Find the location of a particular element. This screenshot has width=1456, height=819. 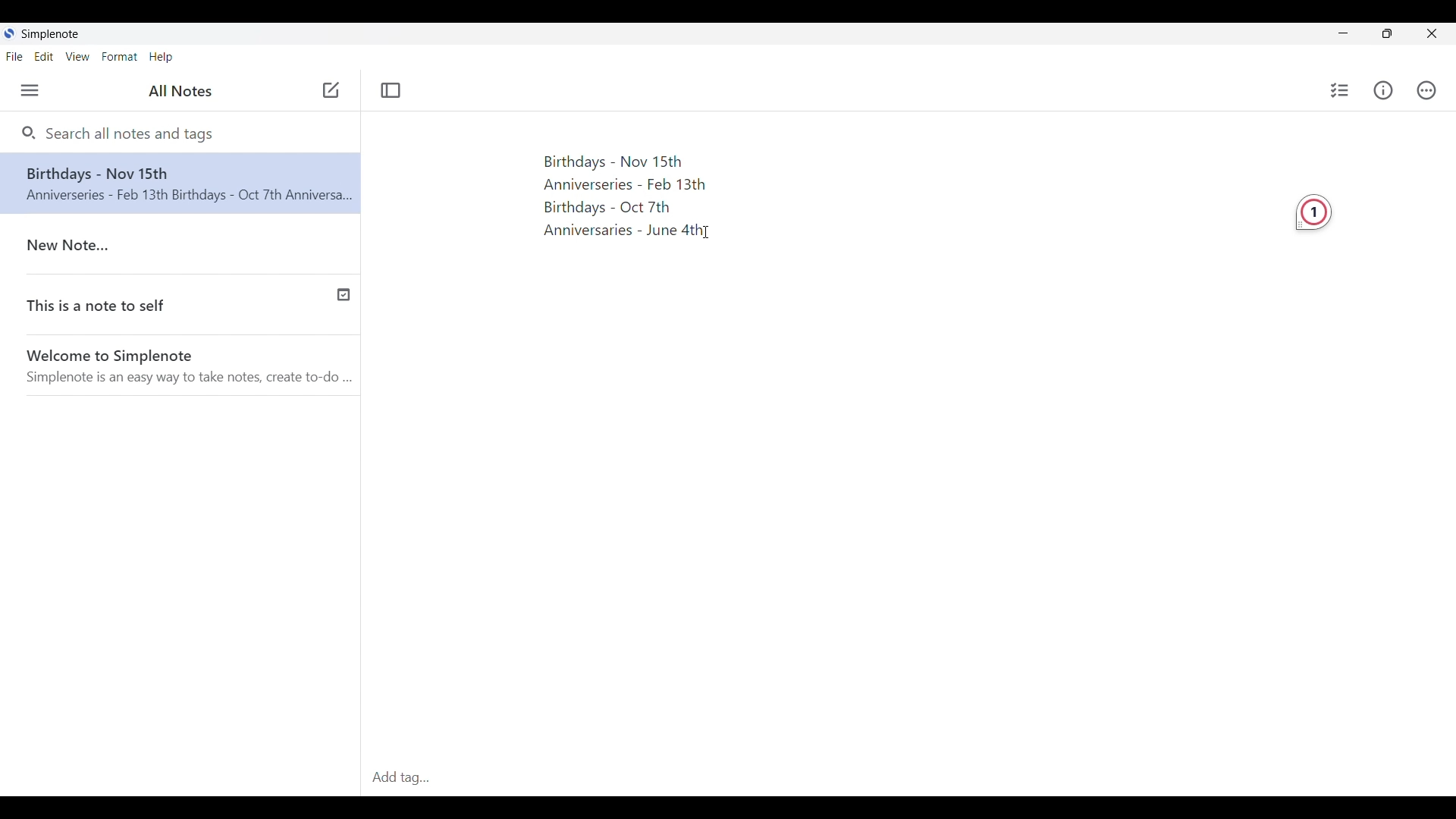

Simplenote logo and name is located at coordinates (57, 35).